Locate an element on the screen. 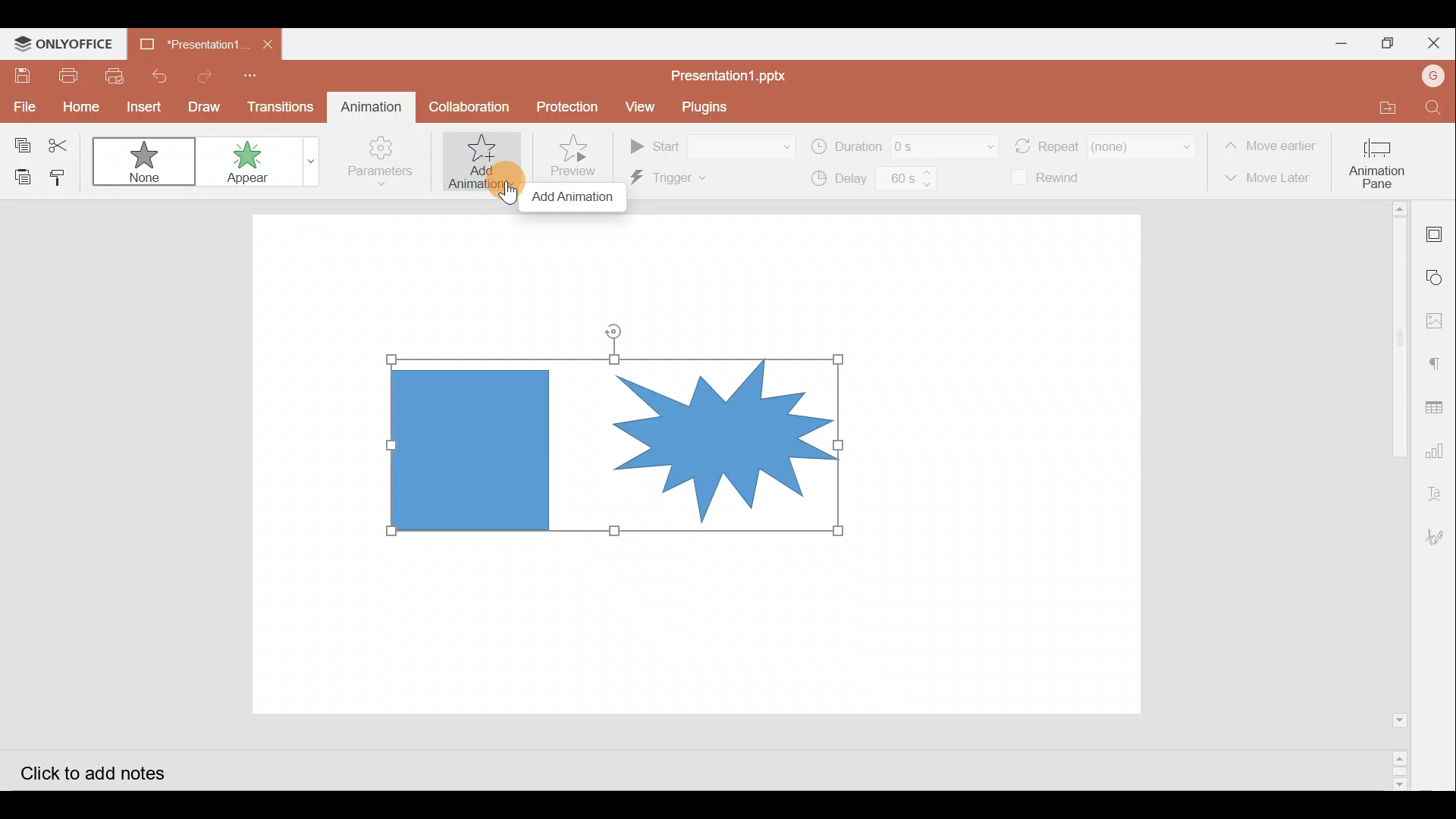 This screenshot has height=819, width=1456. Preview is located at coordinates (578, 157).